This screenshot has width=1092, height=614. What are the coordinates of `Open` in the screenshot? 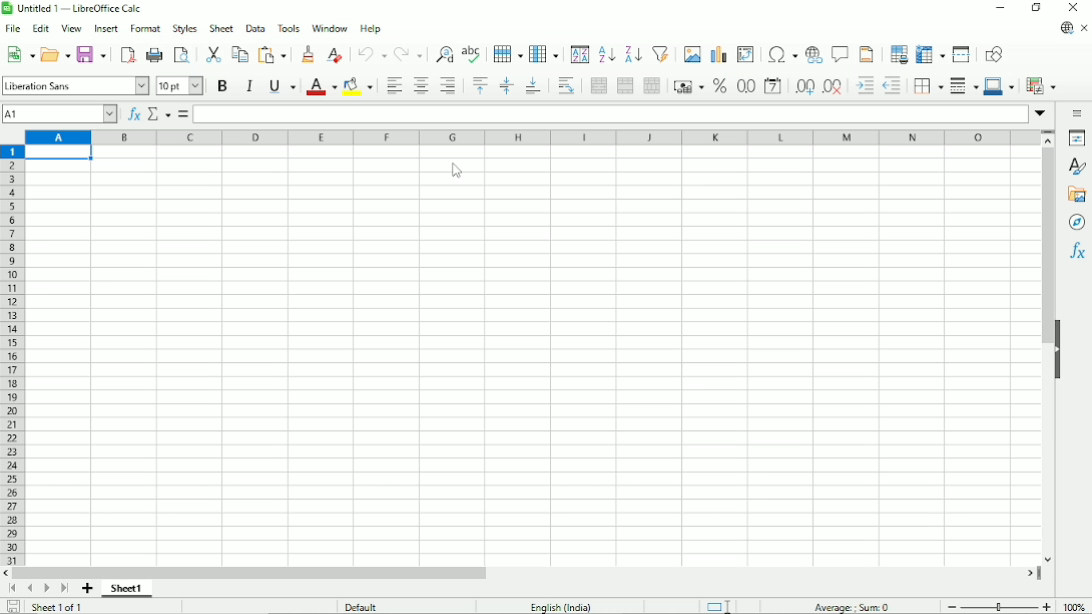 It's located at (55, 54).